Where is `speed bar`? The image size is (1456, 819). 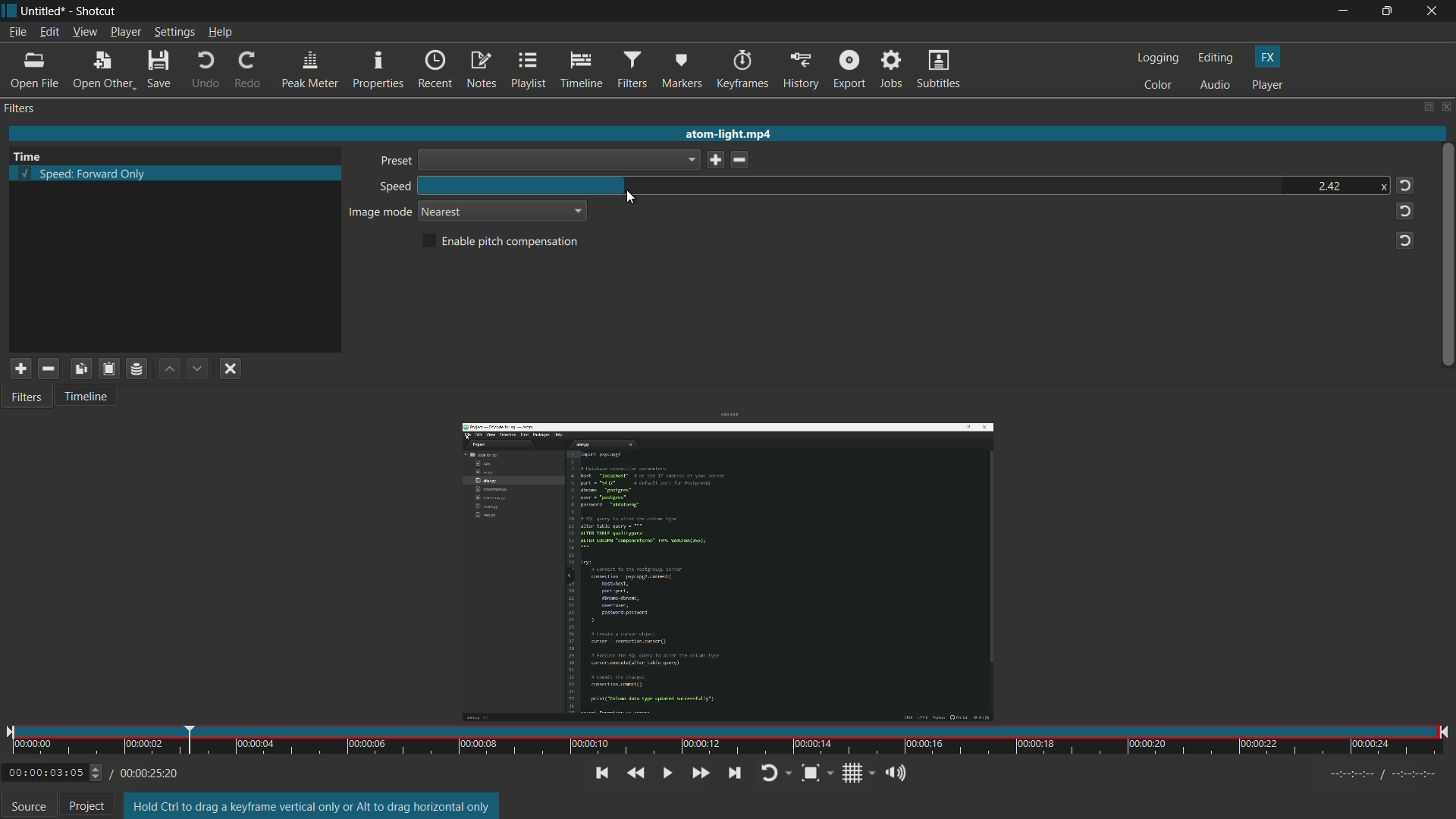
speed bar is located at coordinates (849, 184).